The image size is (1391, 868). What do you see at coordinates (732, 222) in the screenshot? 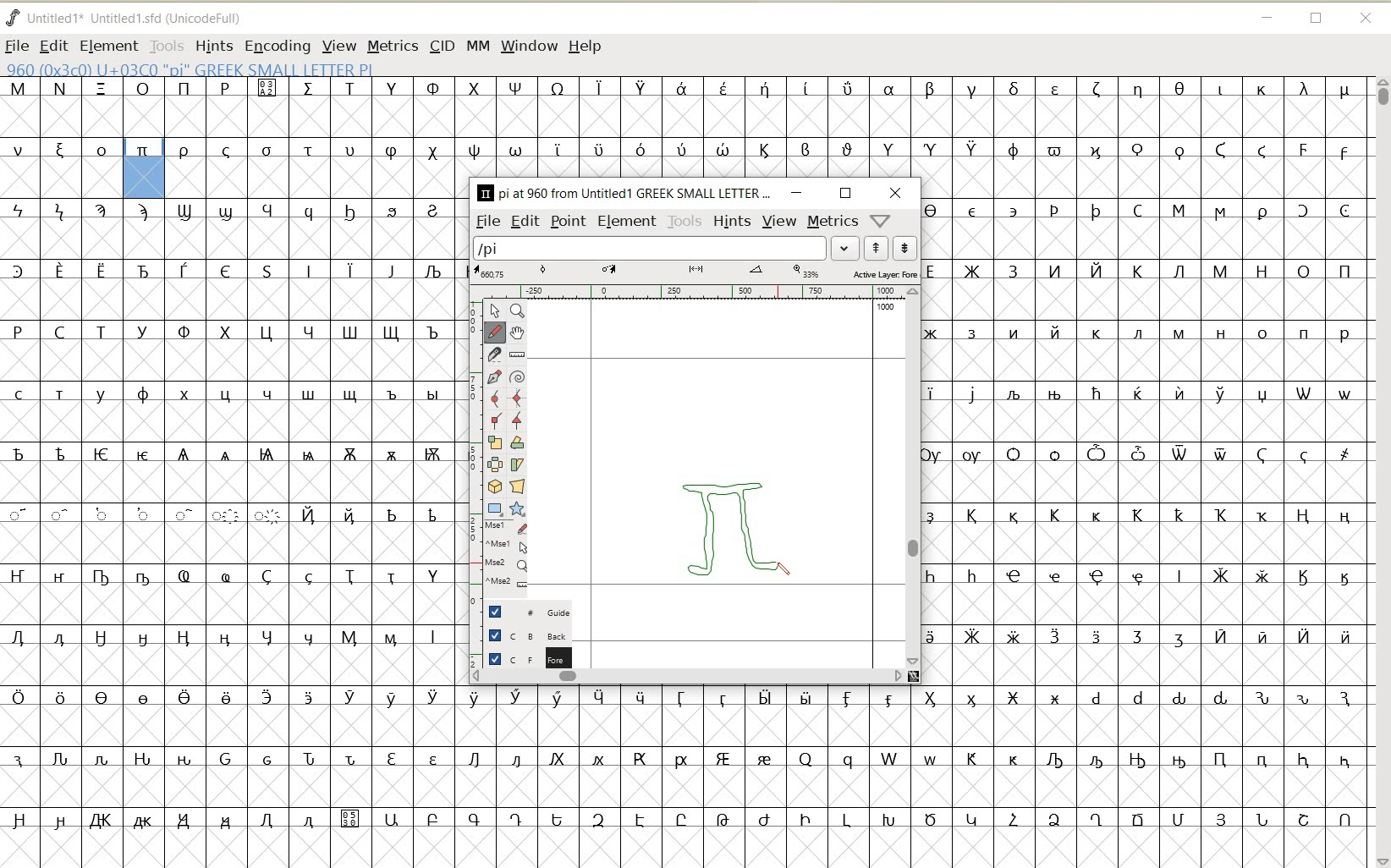
I see `HINTS` at bounding box center [732, 222].